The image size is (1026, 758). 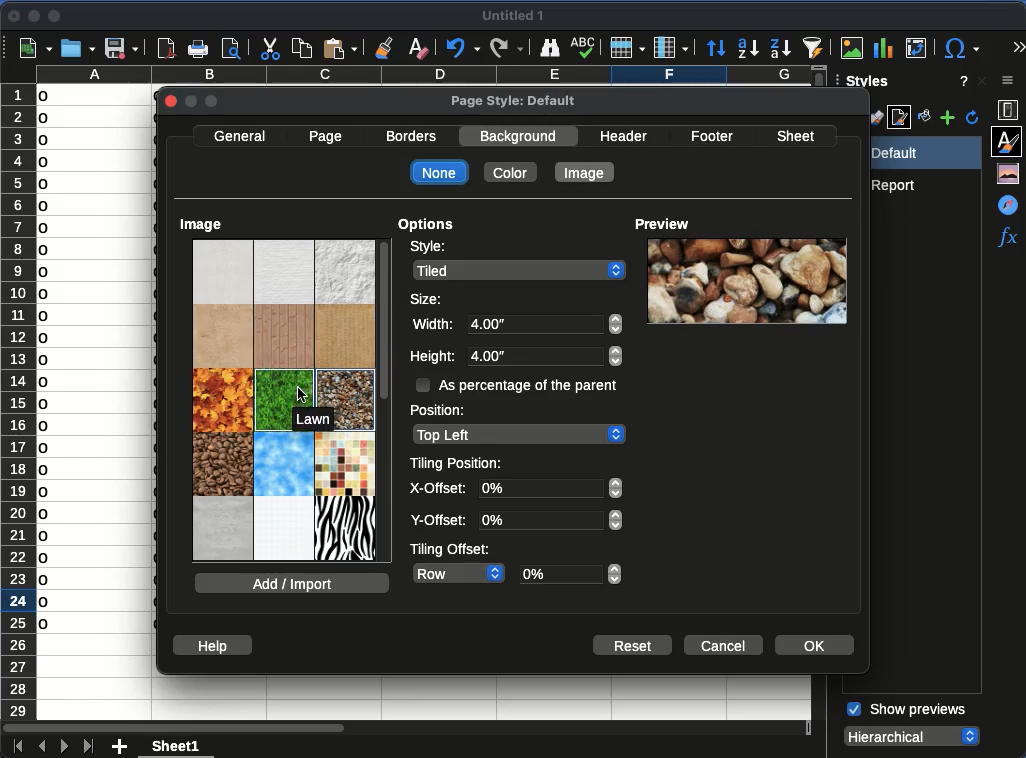 I want to click on clear formatting, so click(x=420, y=47).